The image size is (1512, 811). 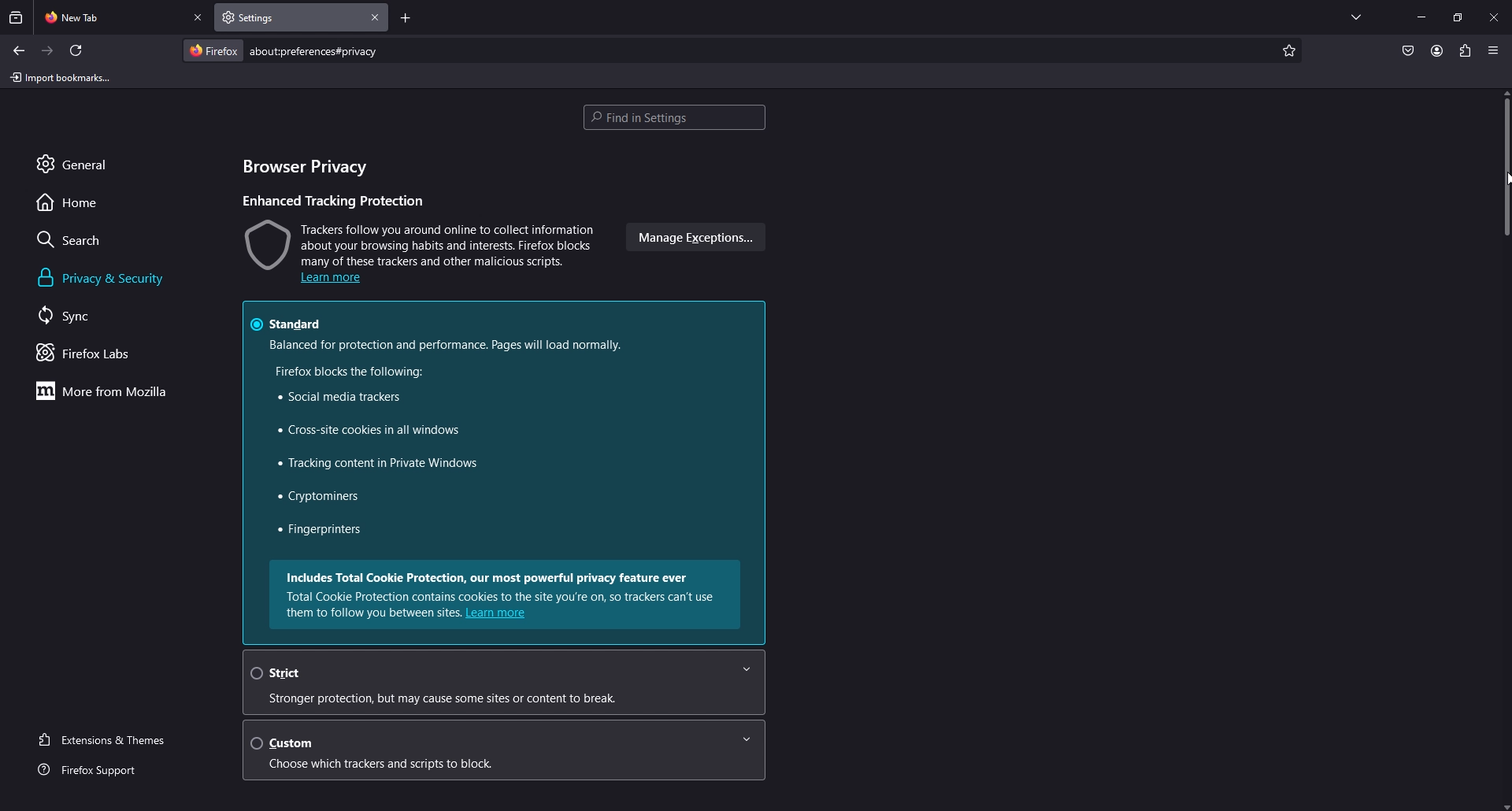 What do you see at coordinates (505, 586) in the screenshot?
I see `Includes Total Cookie Protection, our most powerful privacy feature everTotal Cookie Protection contains cookies to the site you're on, so trackers can't use` at bounding box center [505, 586].